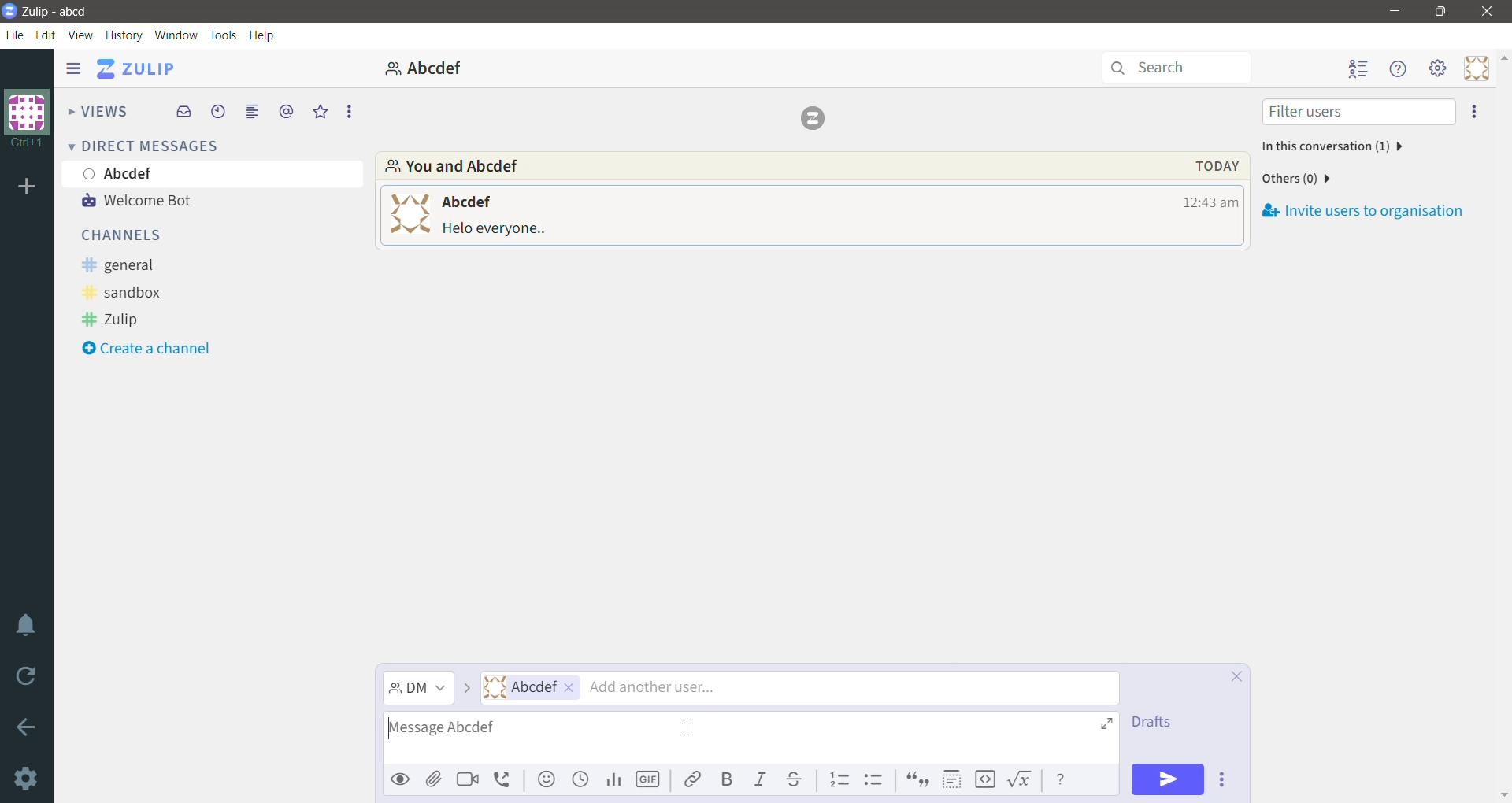 This screenshot has height=803, width=1512. Describe the element at coordinates (418, 689) in the screenshot. I see `Message Channel` at that location.